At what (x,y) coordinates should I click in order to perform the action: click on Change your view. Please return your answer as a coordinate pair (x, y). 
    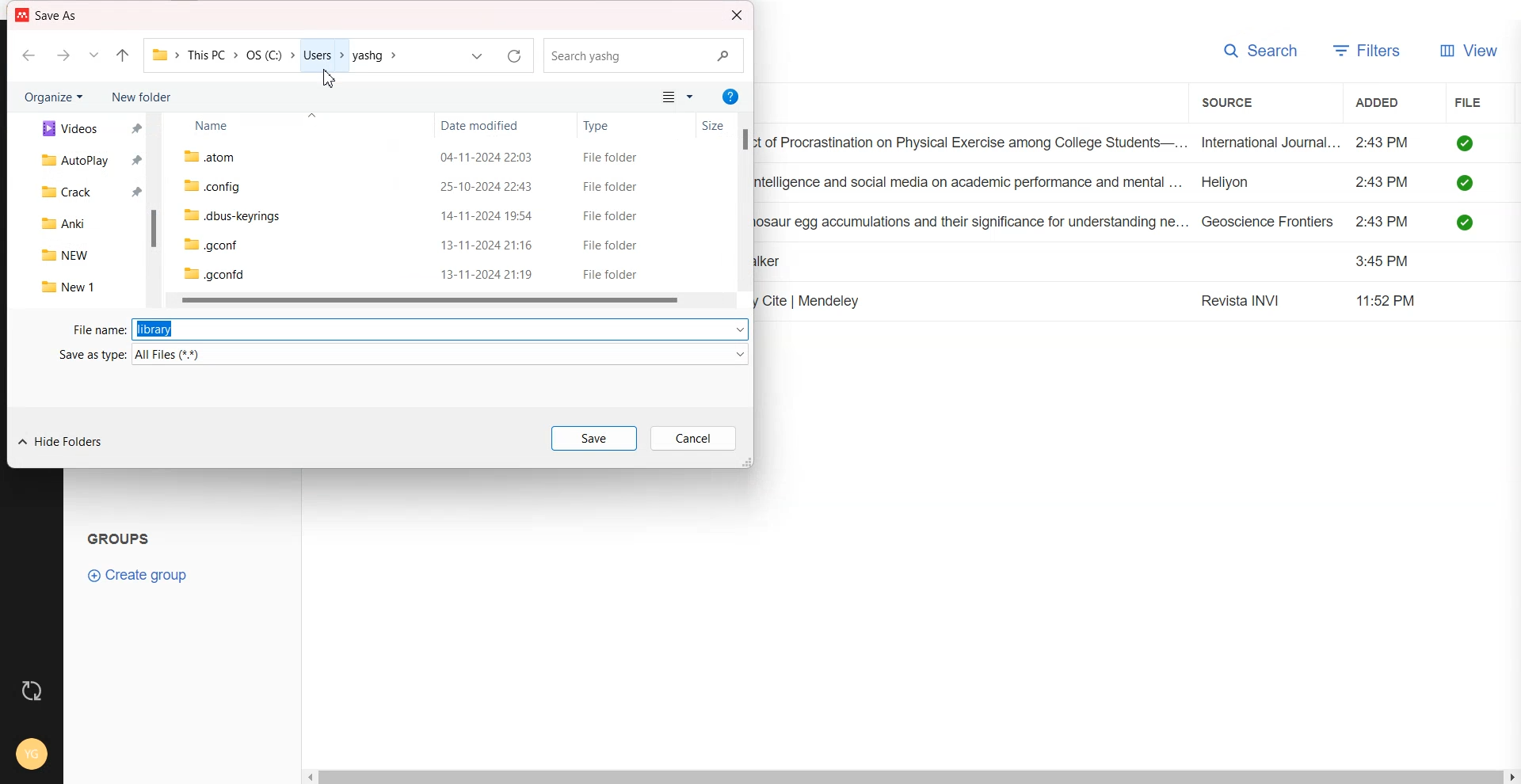
    Looking at the image, I should click on (679, 97).